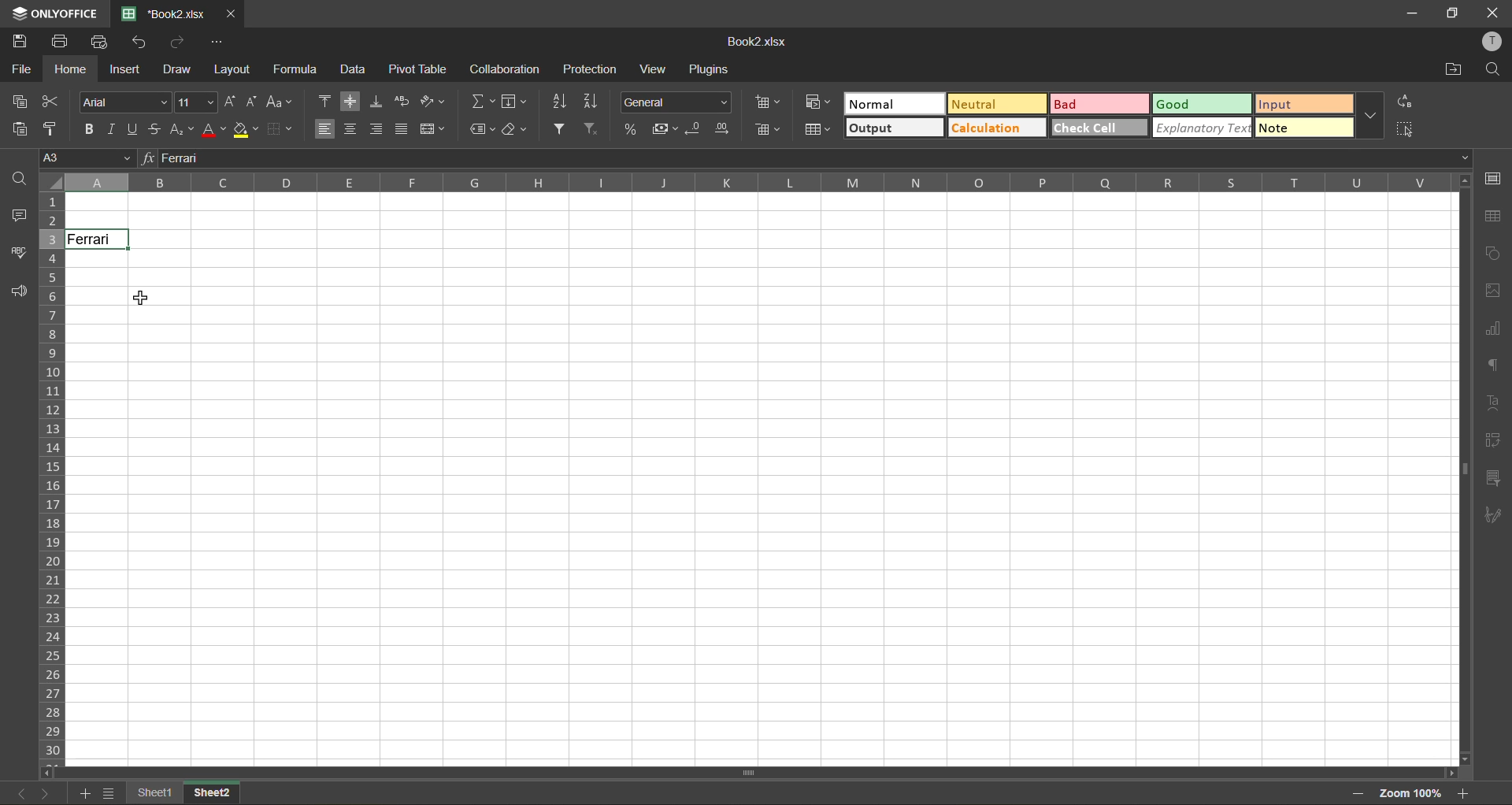 The width and height of the screenshot is (1512, 805). I want to click on sort descending, so click(595, 102).